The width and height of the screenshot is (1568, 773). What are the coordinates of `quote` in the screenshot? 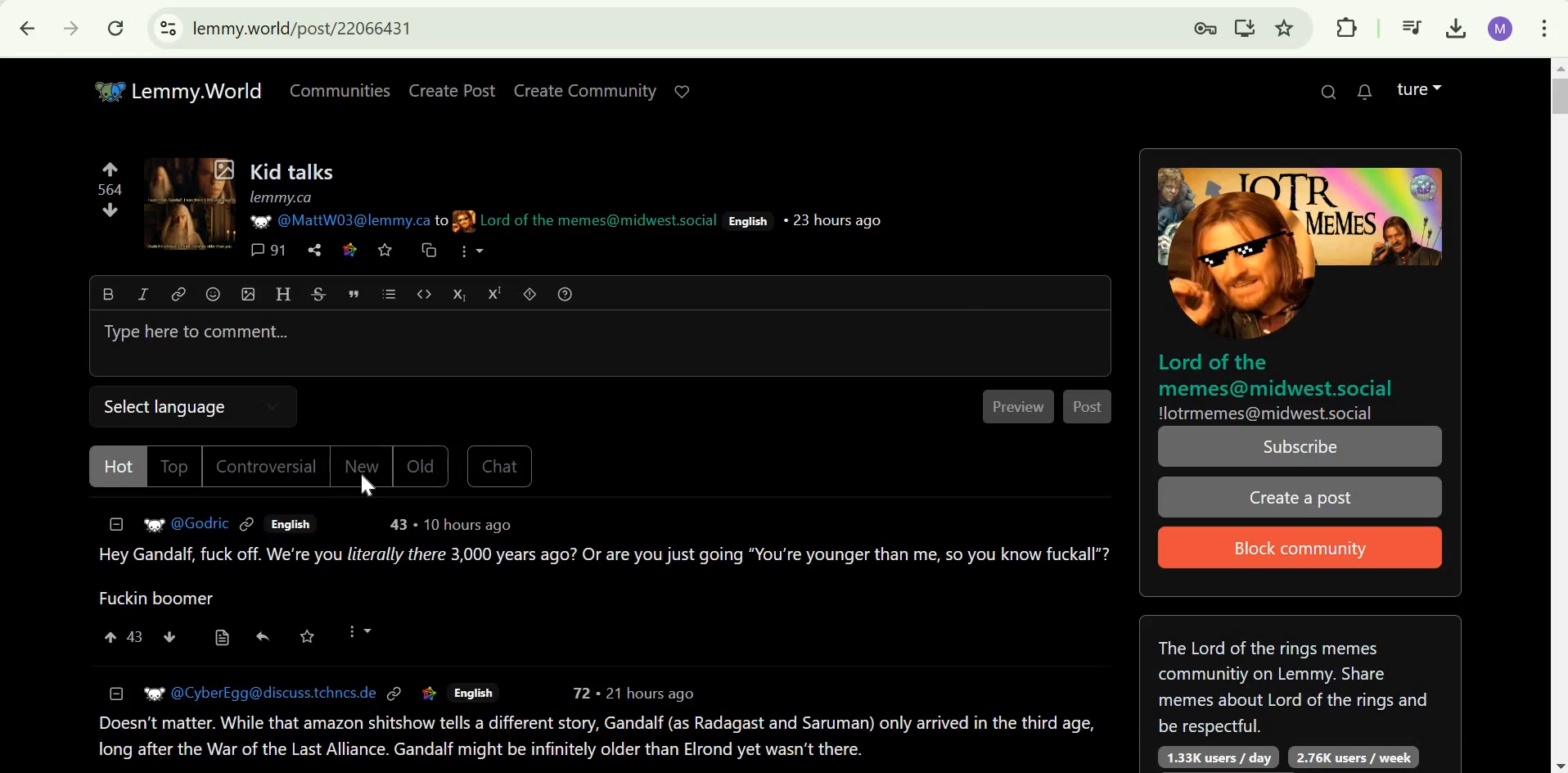 It's located at (353, 292).